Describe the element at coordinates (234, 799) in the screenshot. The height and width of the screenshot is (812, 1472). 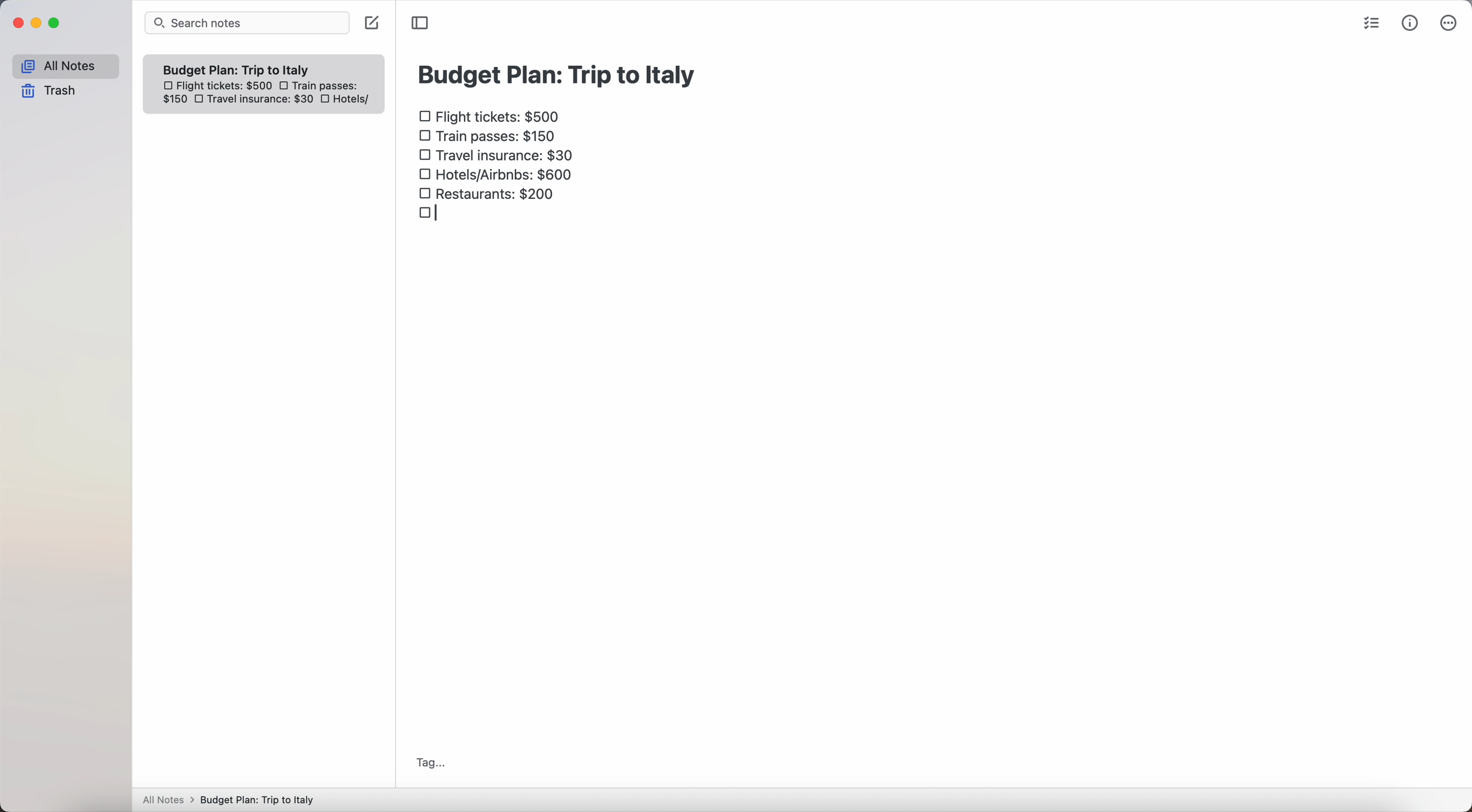
I see `All notes > Budget Plan: Trip to Italy` at that location.